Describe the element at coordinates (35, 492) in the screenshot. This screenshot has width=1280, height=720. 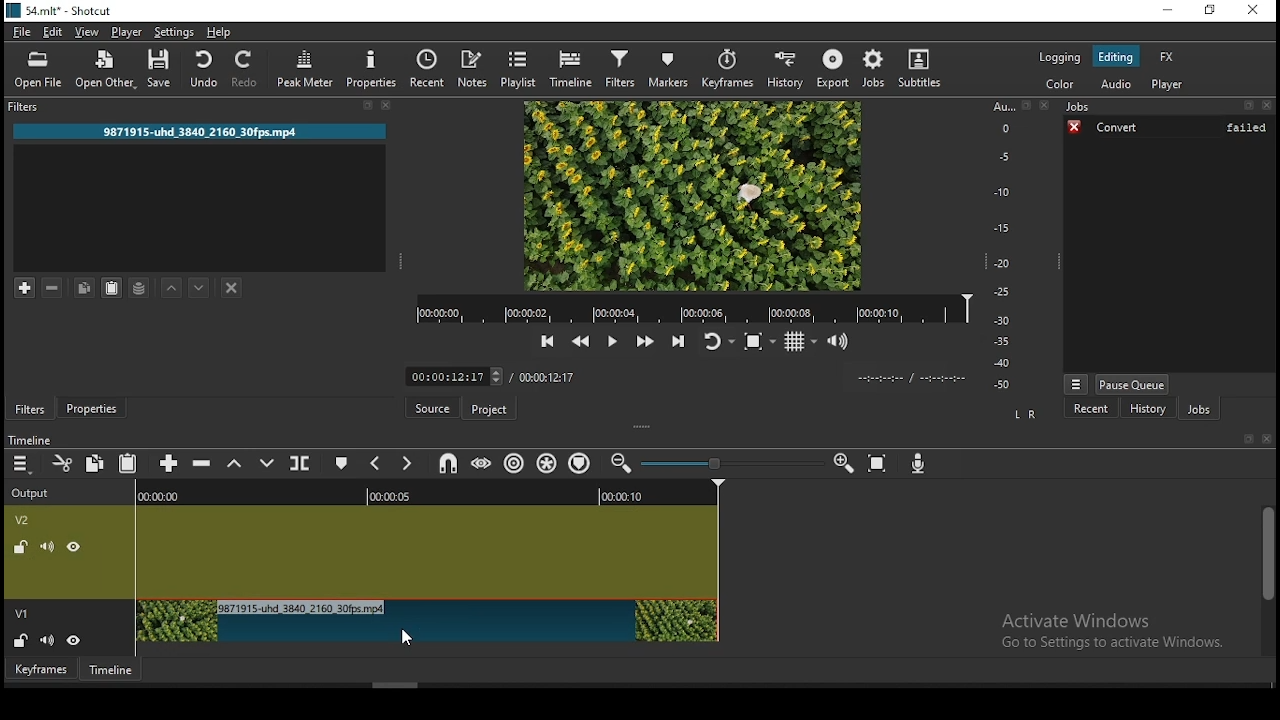
I see `outpur` at that location.